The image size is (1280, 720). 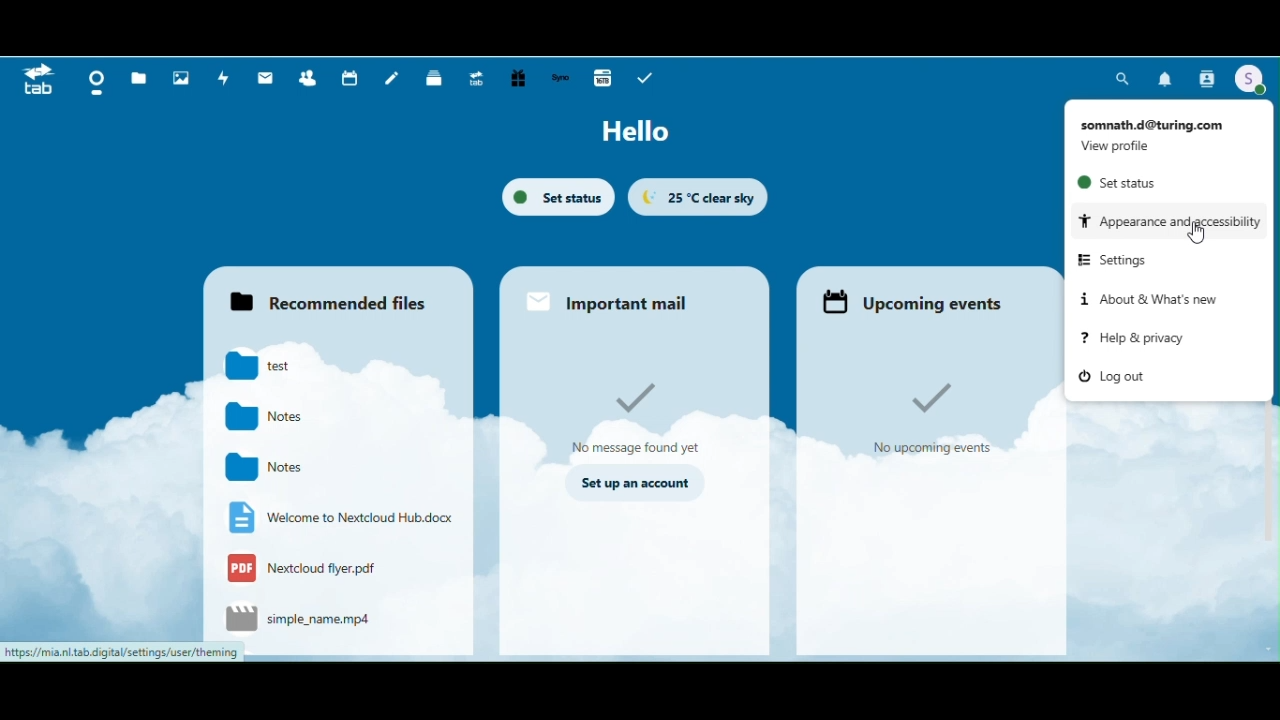 What do you see at coordinates (39, 82) in the screenshot?
I see `tab` at bounding box center [39, 82].